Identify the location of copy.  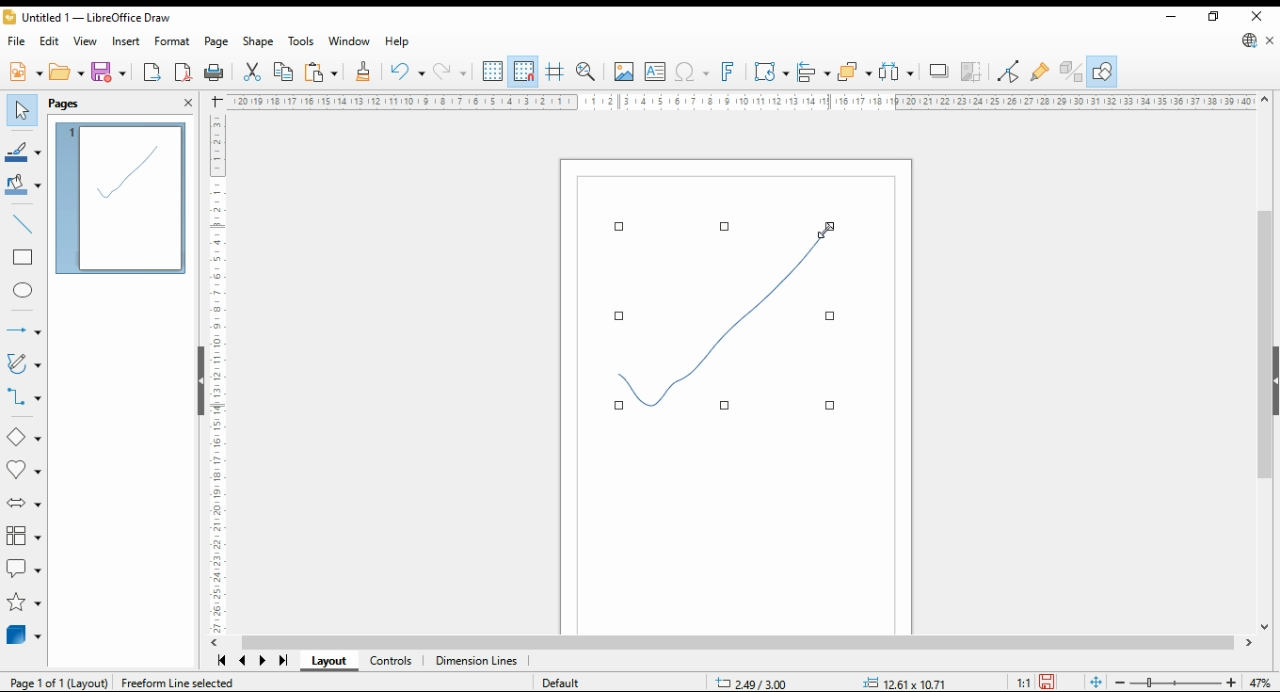
(285, 71).